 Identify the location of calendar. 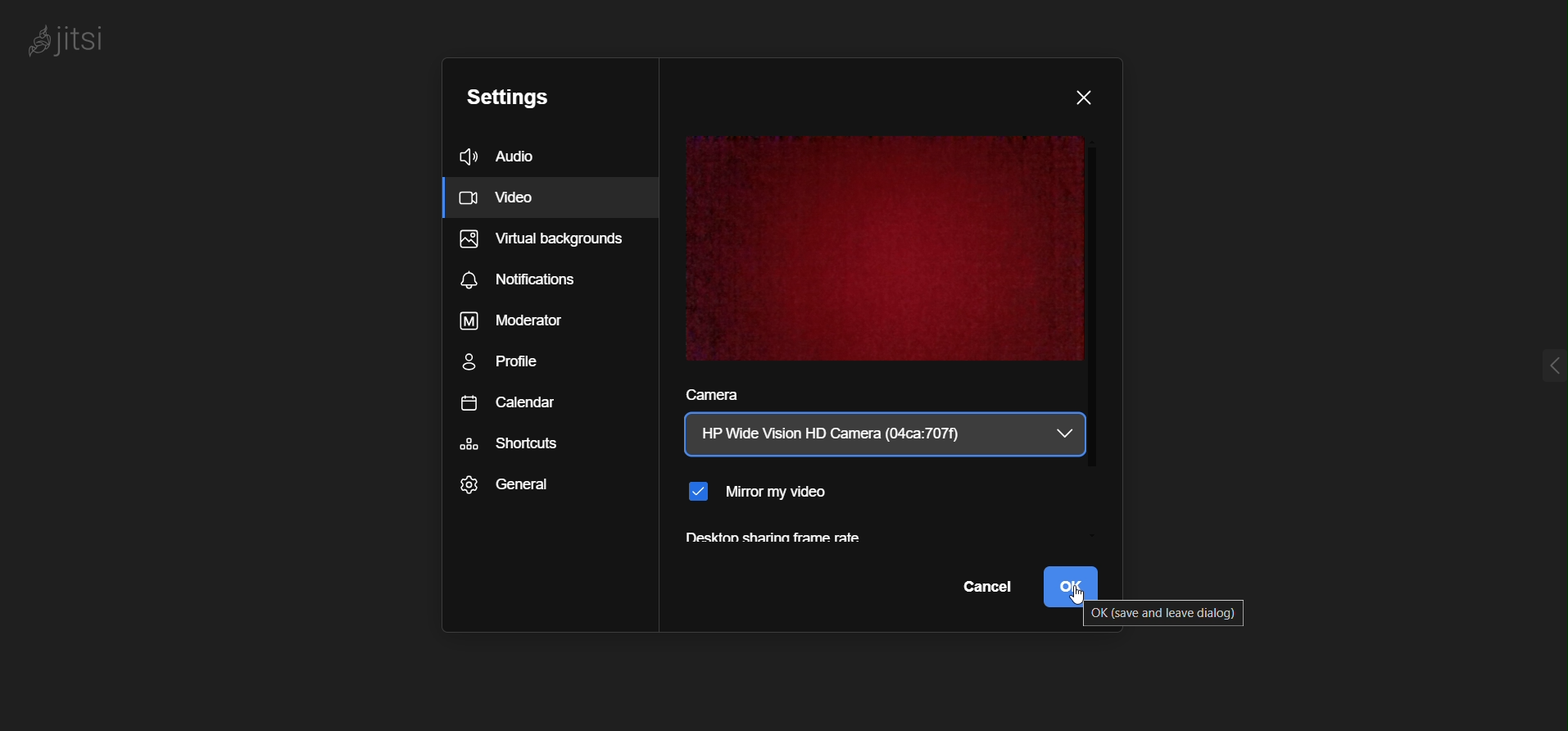
(514, 406).